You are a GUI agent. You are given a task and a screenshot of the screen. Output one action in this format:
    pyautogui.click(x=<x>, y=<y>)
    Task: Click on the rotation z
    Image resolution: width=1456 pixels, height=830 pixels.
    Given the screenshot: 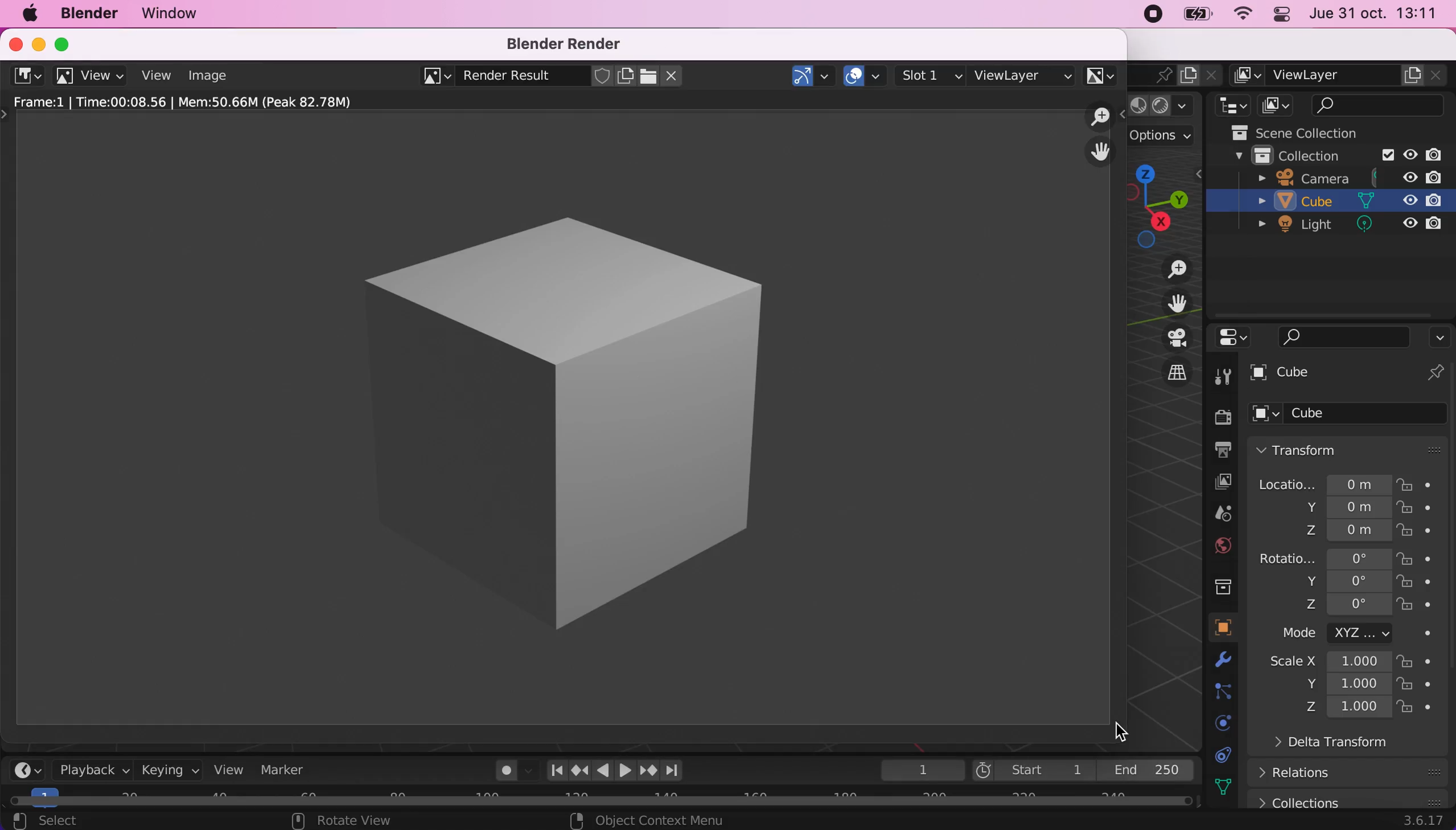 What is the action you would take?
    pyautogui.click(x=1319, y=609)
    